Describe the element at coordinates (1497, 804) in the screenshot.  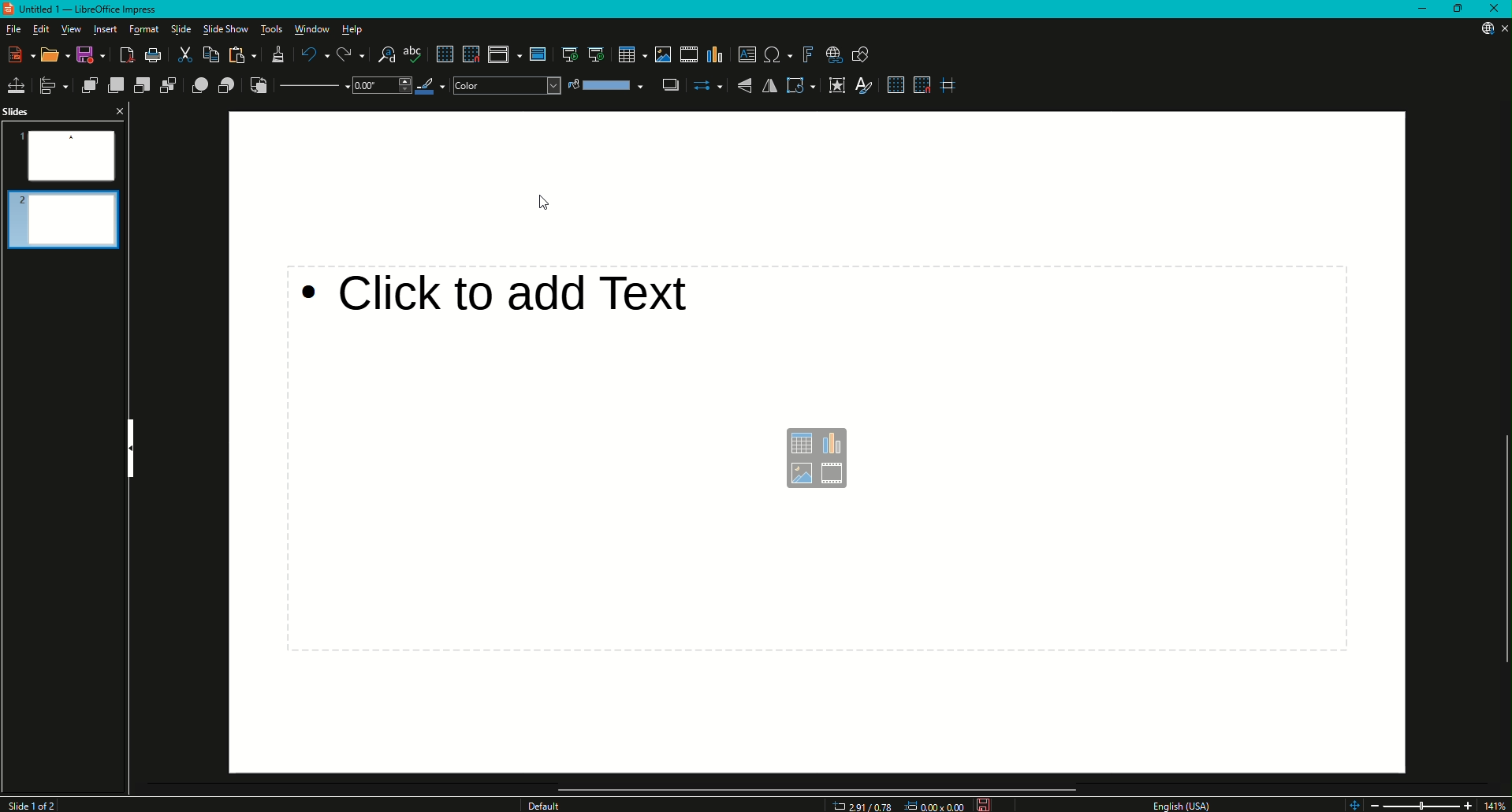
I see `14%` at that location.